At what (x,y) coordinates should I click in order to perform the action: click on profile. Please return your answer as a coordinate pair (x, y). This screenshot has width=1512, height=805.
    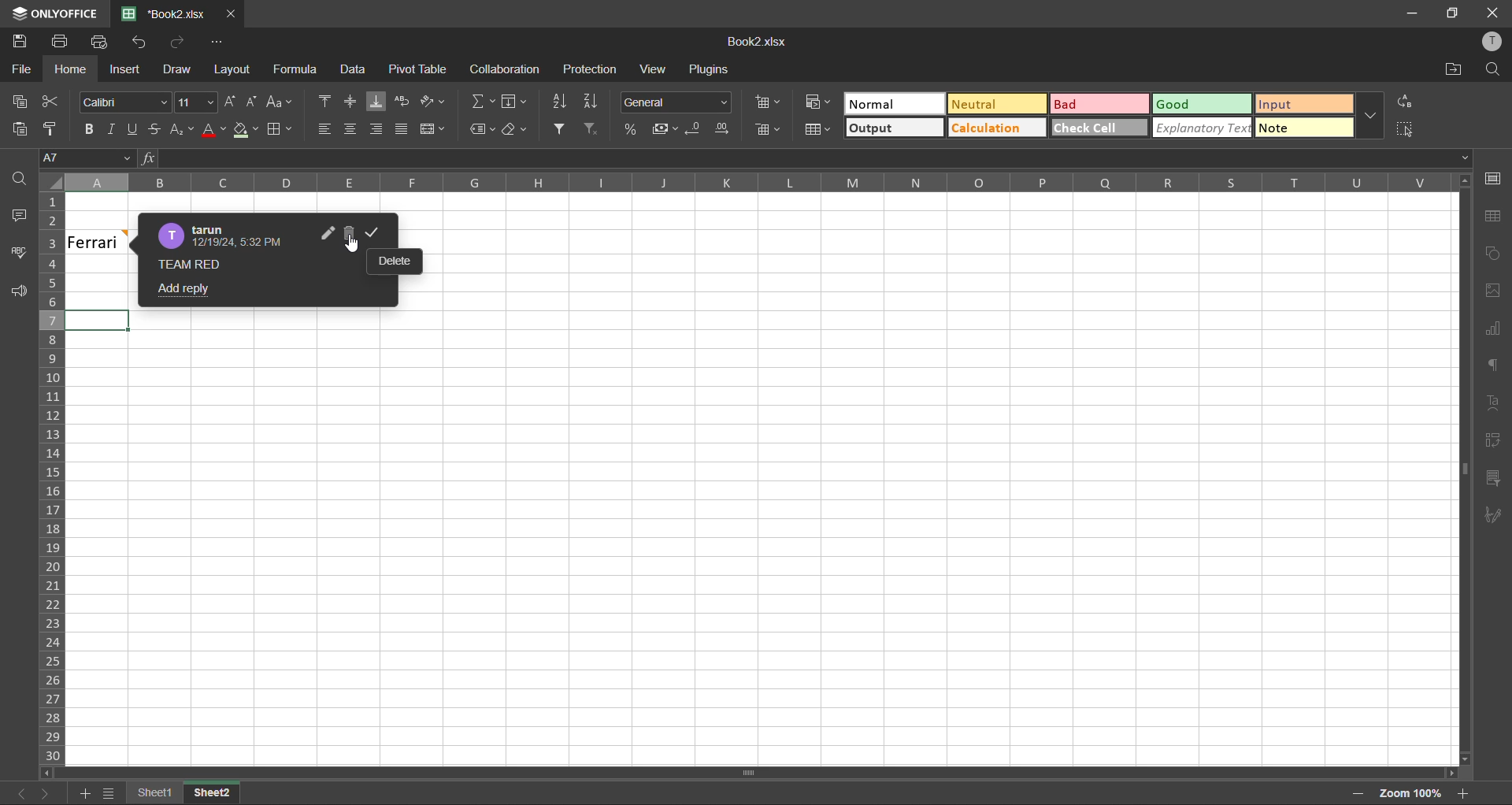
    Looking at the image, I should click on (1490, 40).